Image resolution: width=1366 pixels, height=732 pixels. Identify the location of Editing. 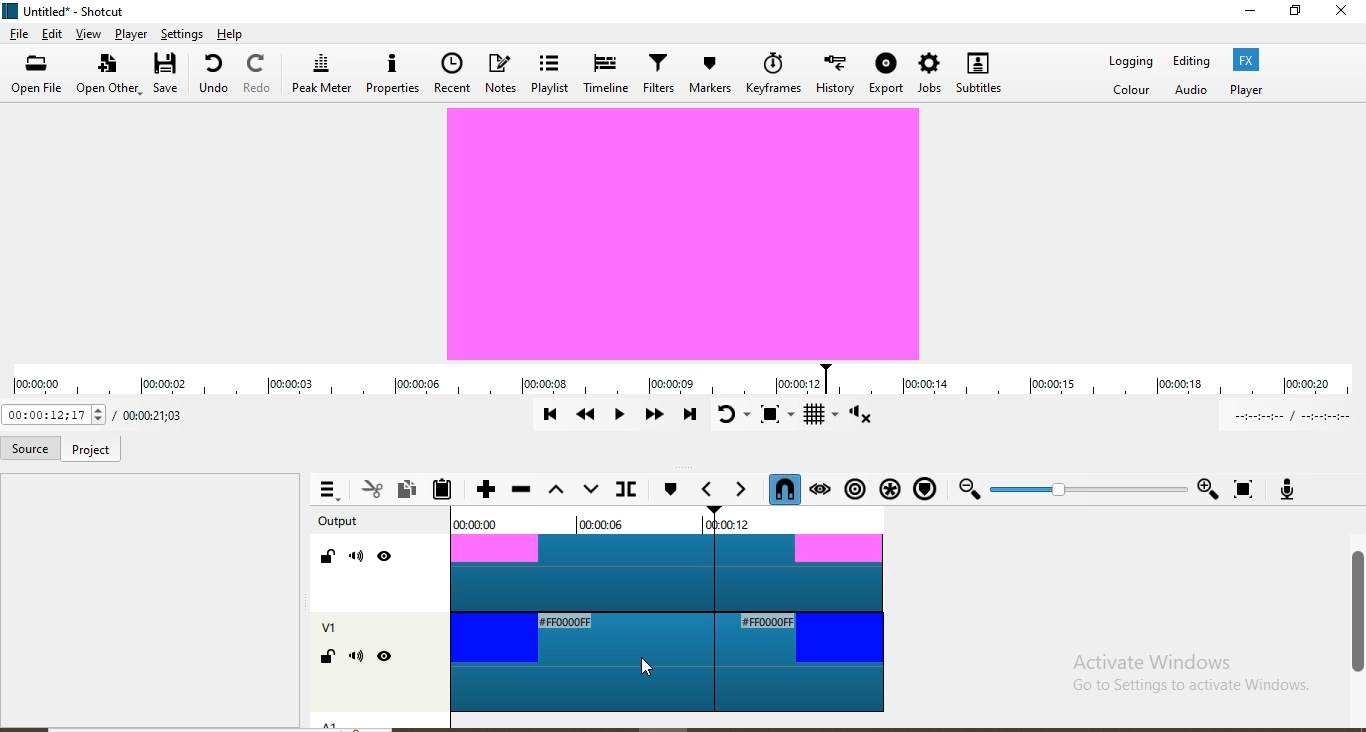
(1194, 62).